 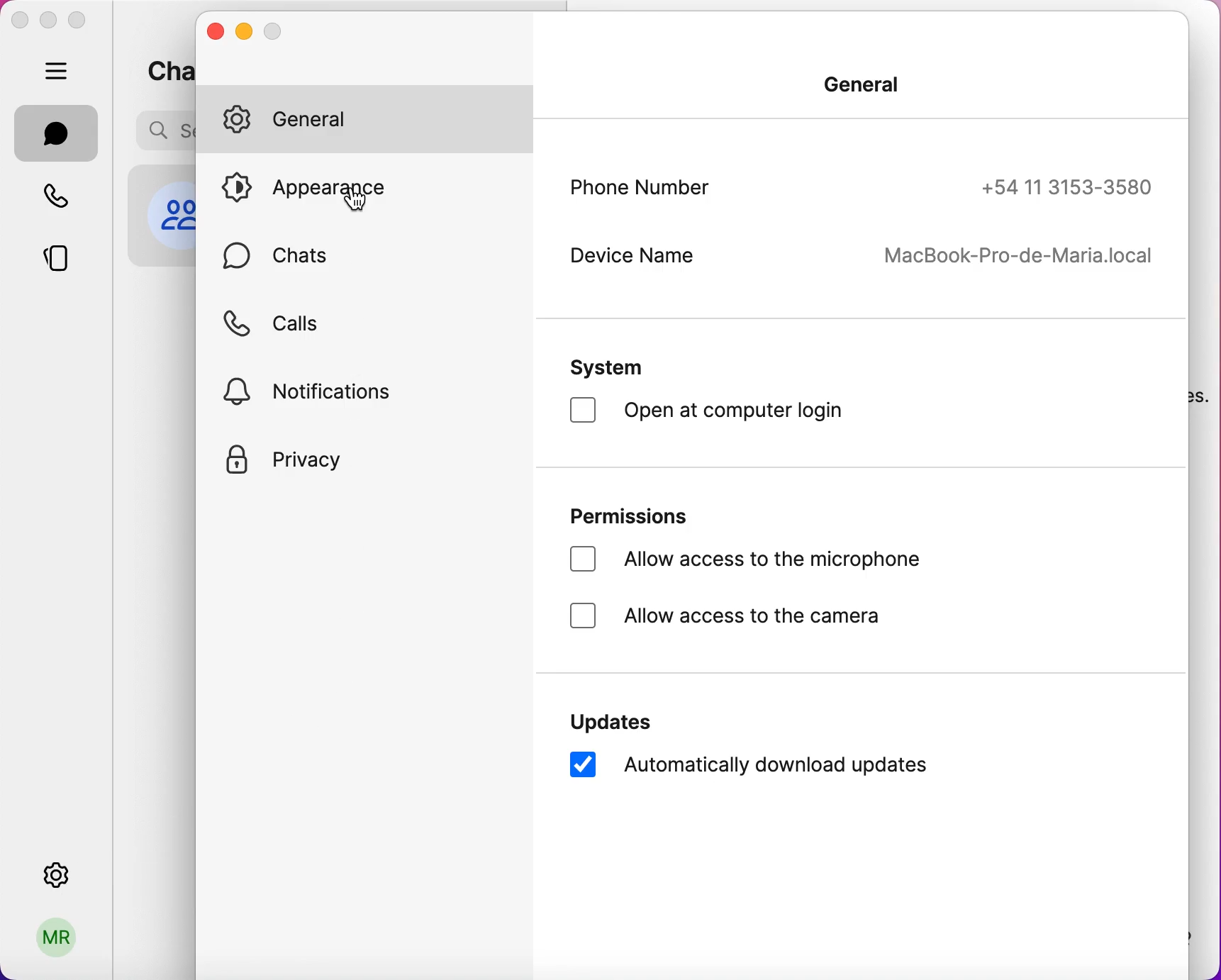 What do you see at coordinates (866, 86) in the screenshot?
I see `general` at bounding box center [866, 86].